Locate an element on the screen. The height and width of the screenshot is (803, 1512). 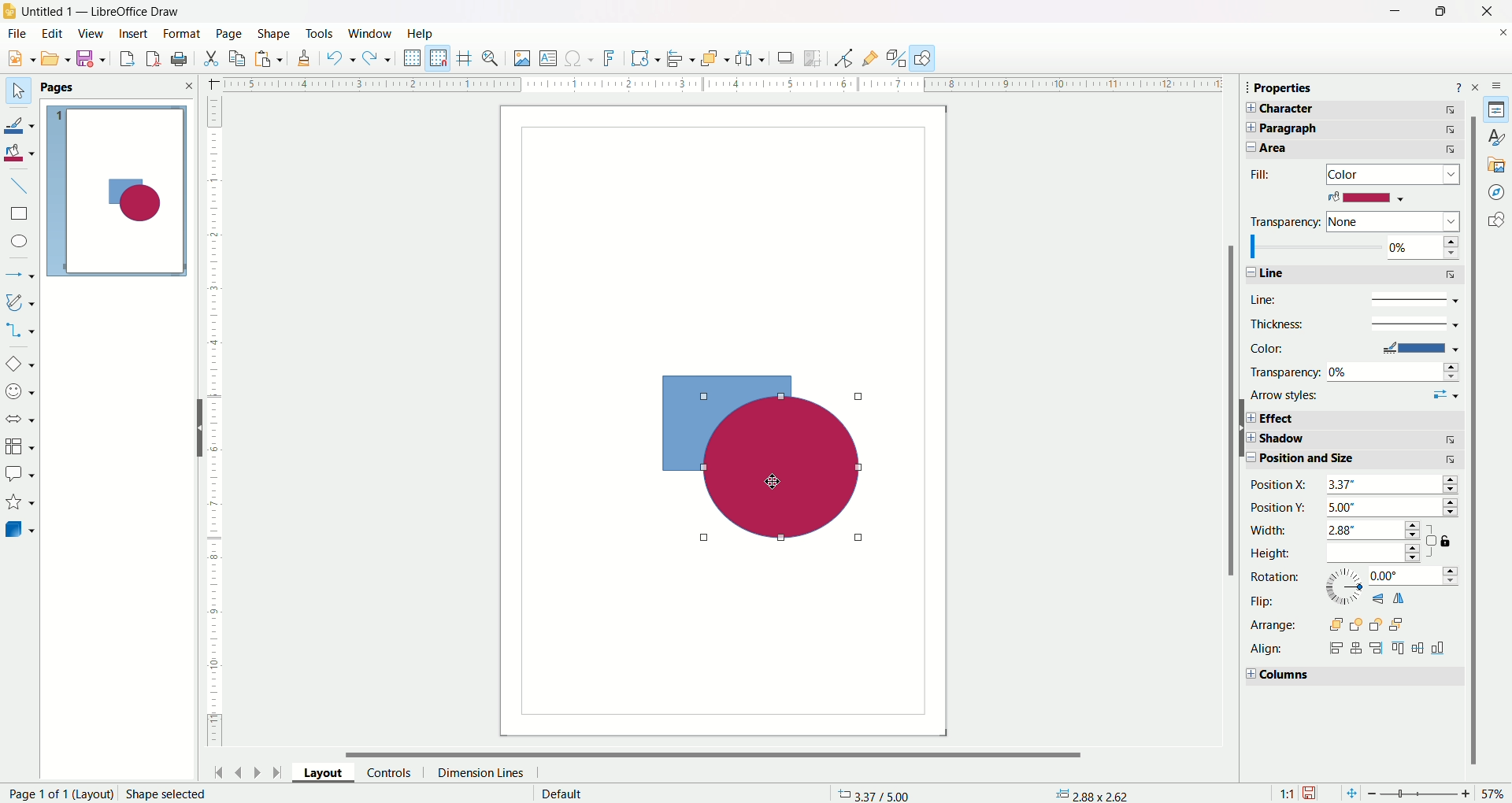
open is located at coordinates (56, 60).